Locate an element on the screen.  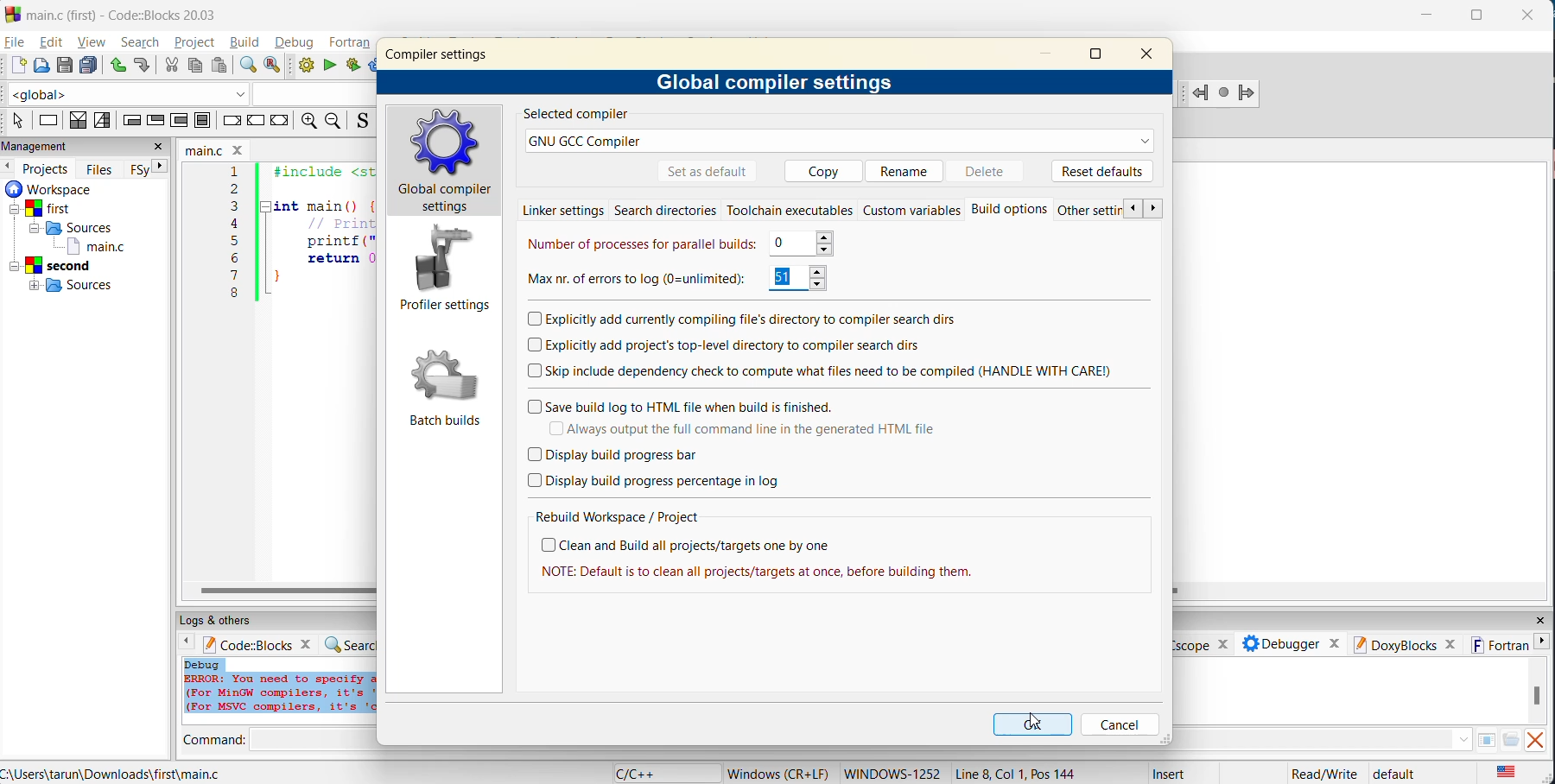
toggle source is located at coordinates (361, 122).